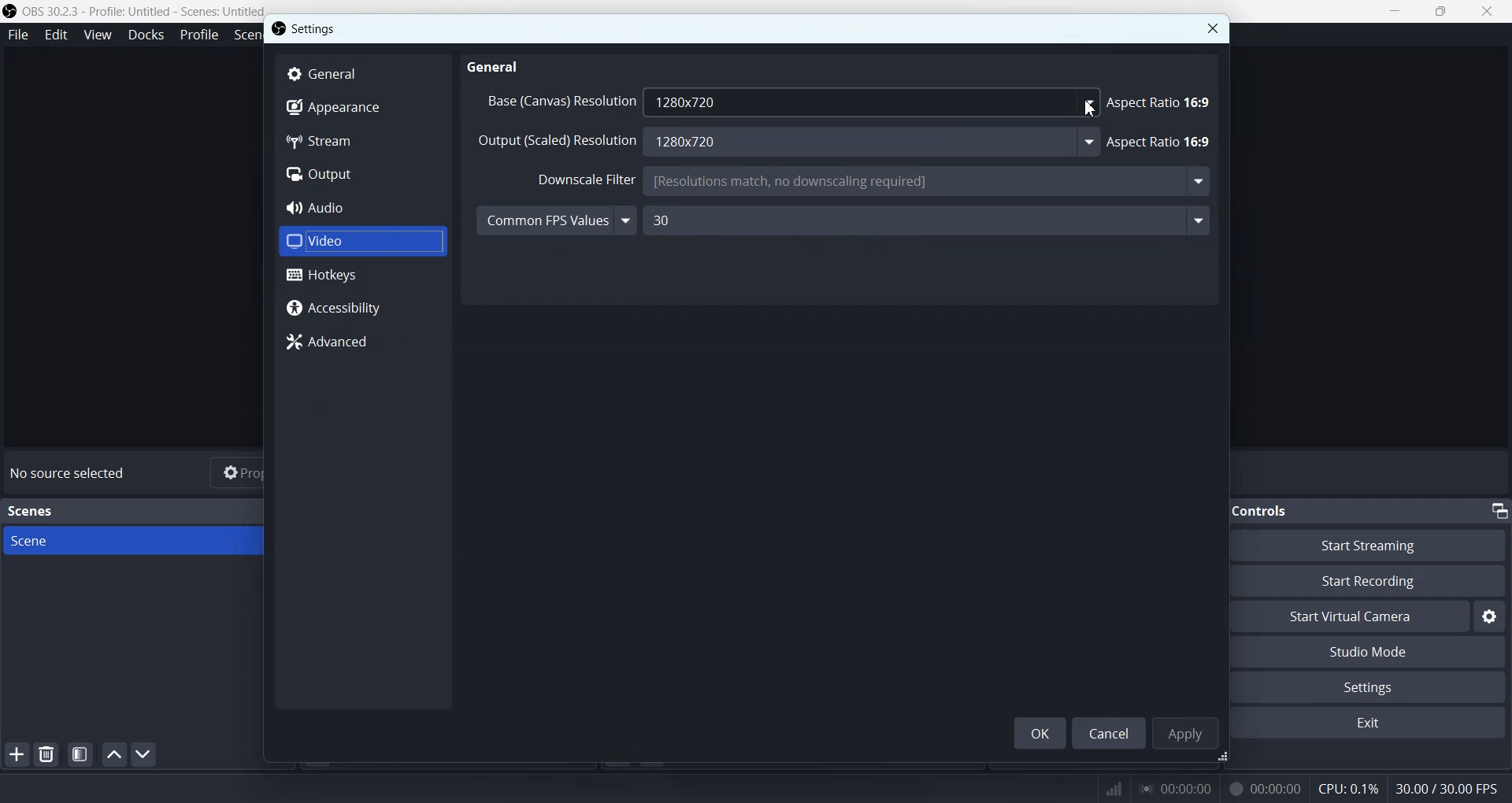  Describe the element at coordinates (134, 11) in the screenshot. I see `Logo` at that location.